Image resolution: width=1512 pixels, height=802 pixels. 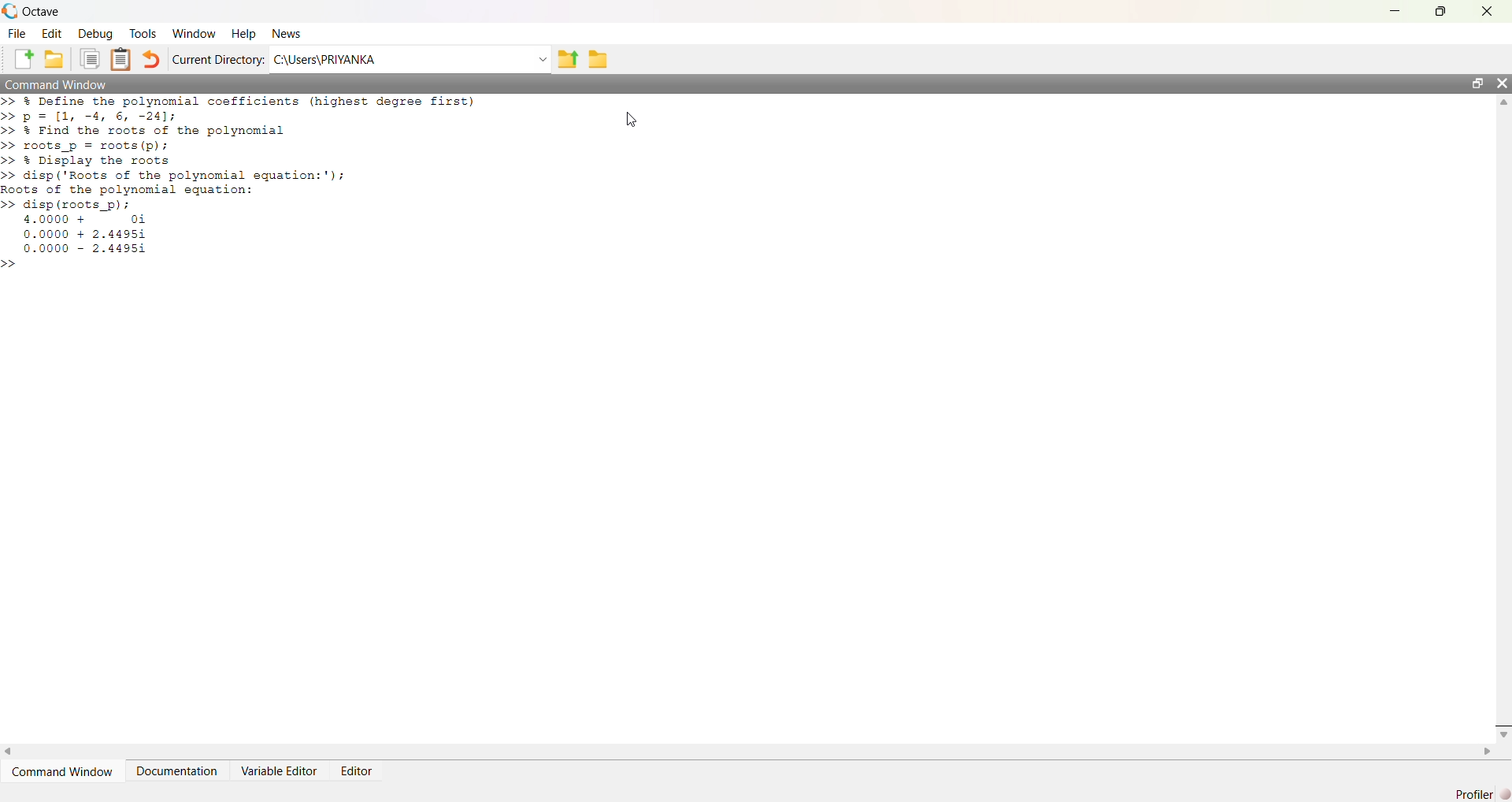 I want to click on Maximize, so click(x=1440, y=13).